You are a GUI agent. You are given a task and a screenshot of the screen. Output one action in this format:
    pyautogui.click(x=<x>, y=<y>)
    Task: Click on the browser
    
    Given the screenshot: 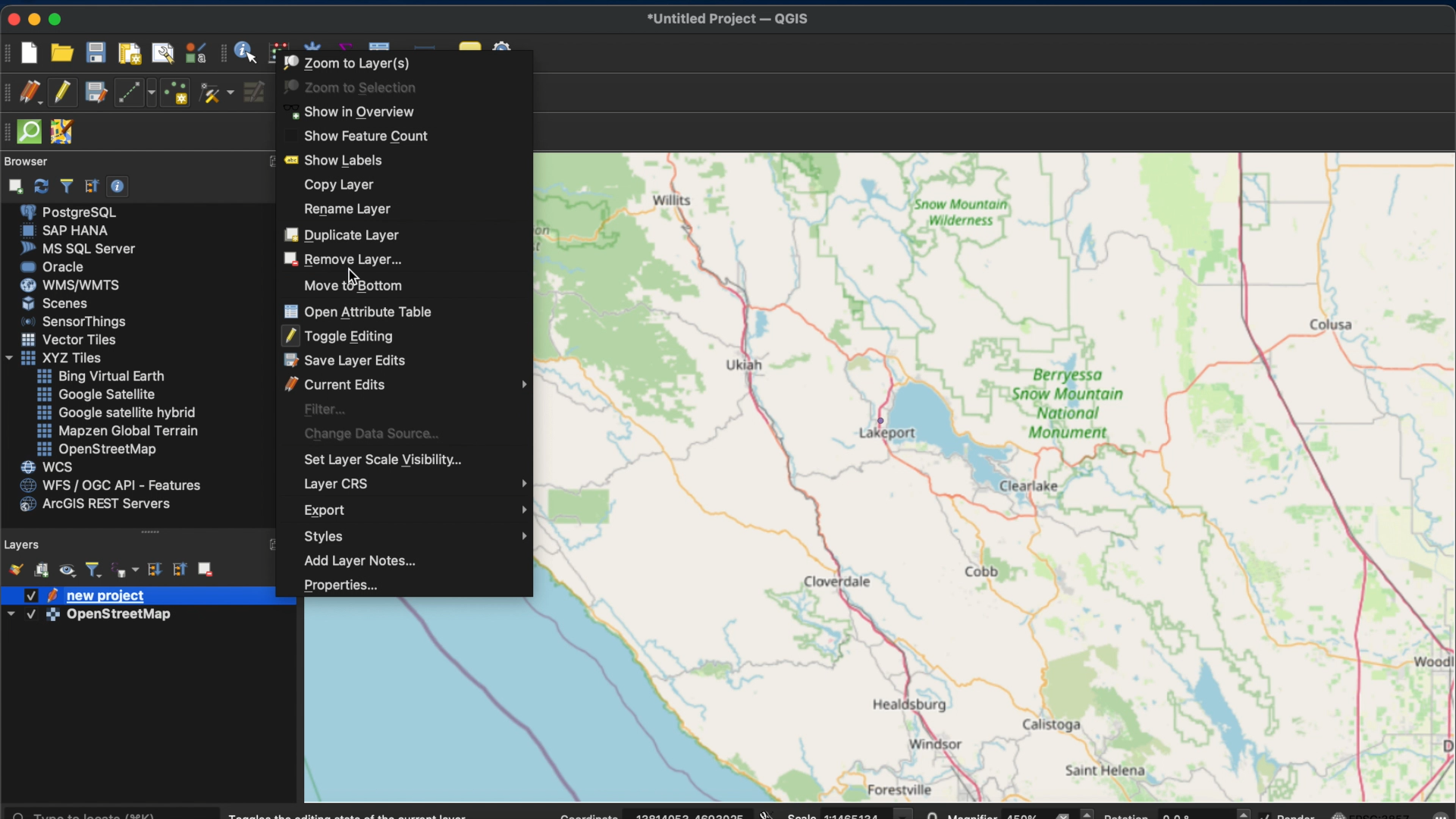 What is the action you would take?
    pyautogui.click(x=26, y=162)
    